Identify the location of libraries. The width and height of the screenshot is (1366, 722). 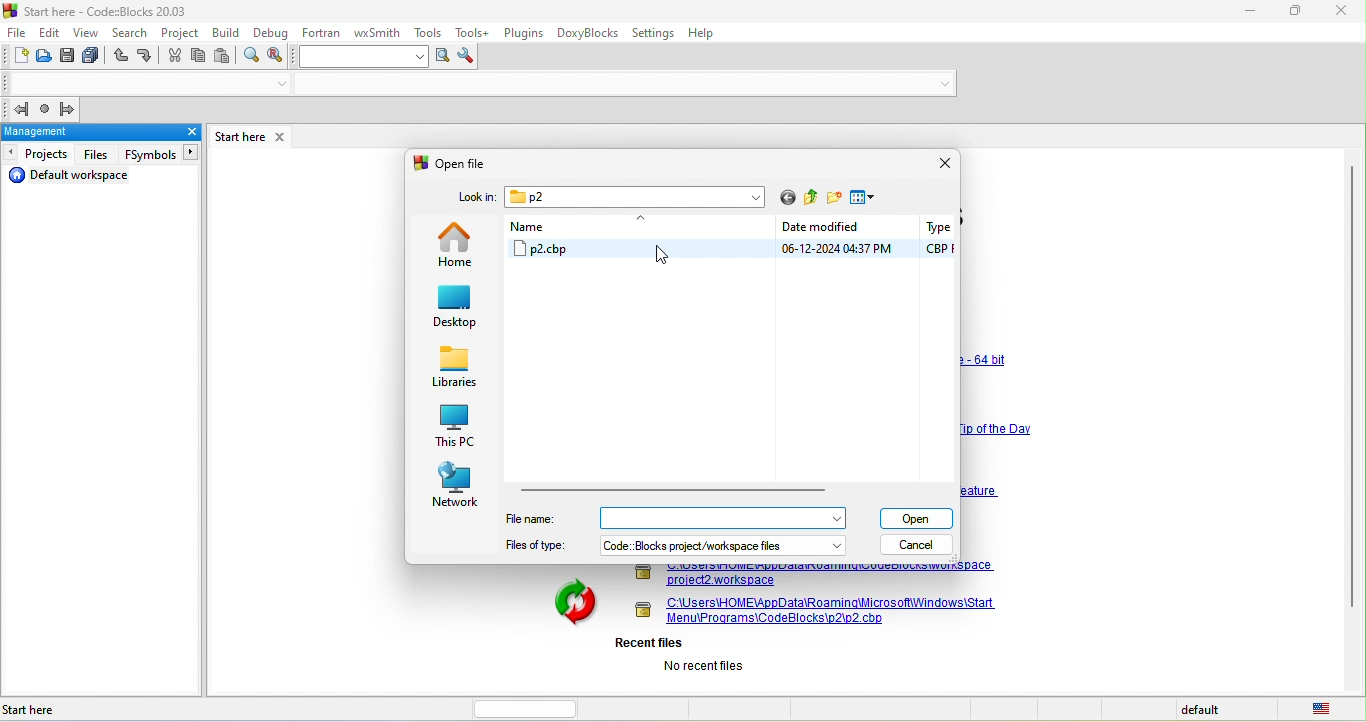
(458, 369).